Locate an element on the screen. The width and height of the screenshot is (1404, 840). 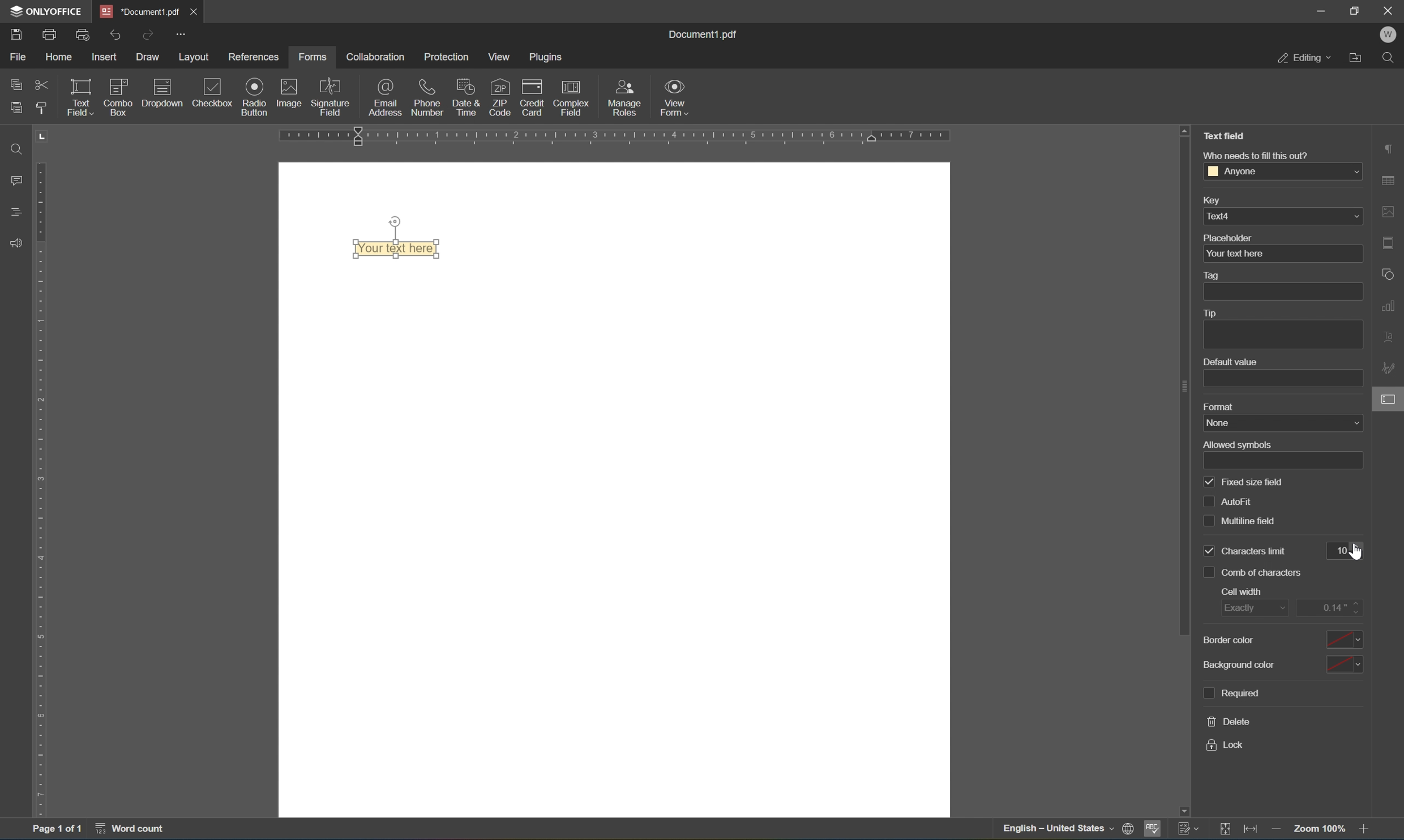
multiline fit is located at coordinates (1259, 521).